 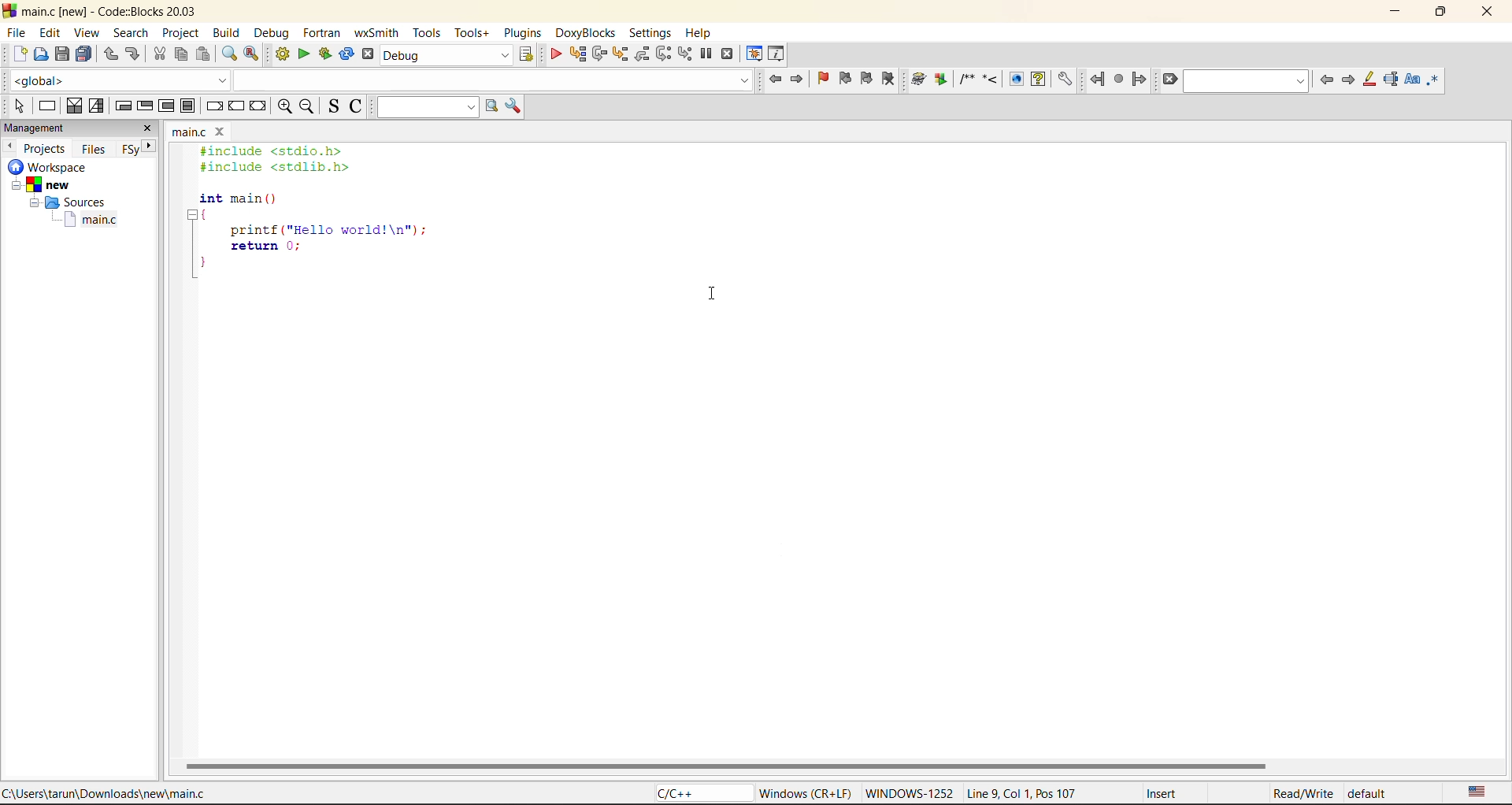 I want to click on undo, so click(x=109, y=54).